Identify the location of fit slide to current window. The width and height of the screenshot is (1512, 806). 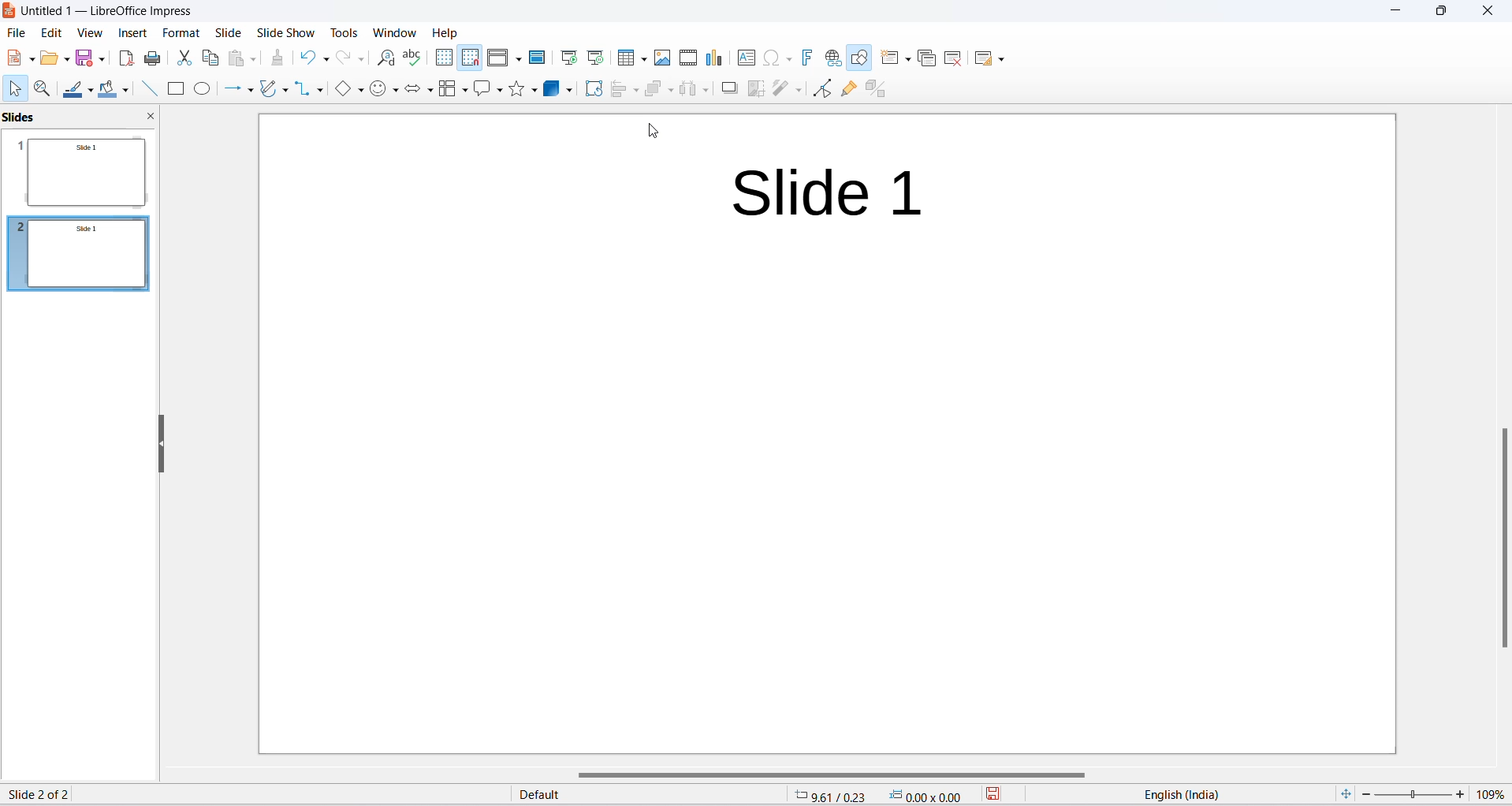
(1346, 796).